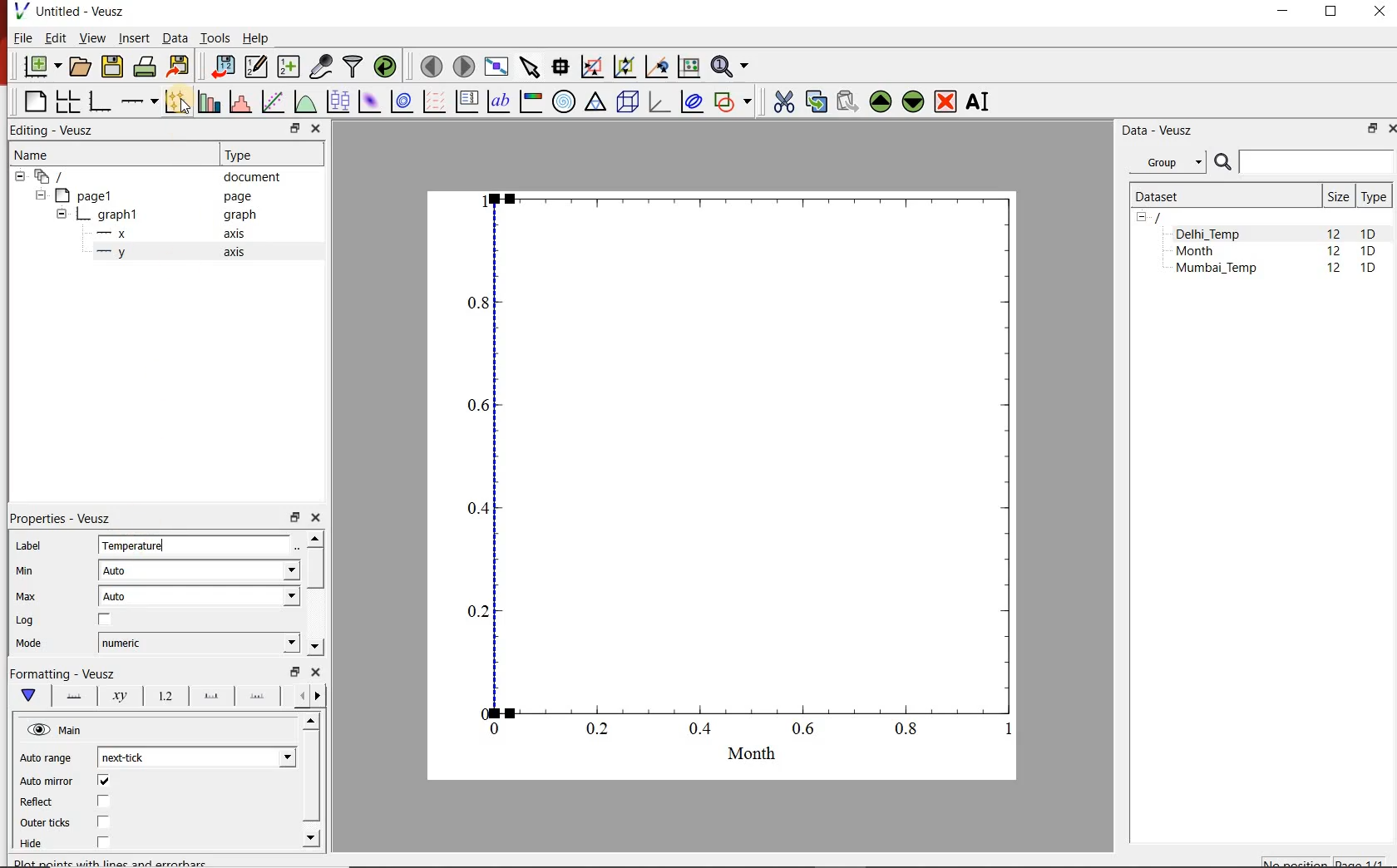 The height and width of the screenshot is (868, 1397). I want to click on cut the selected widget, so click(783, 101).